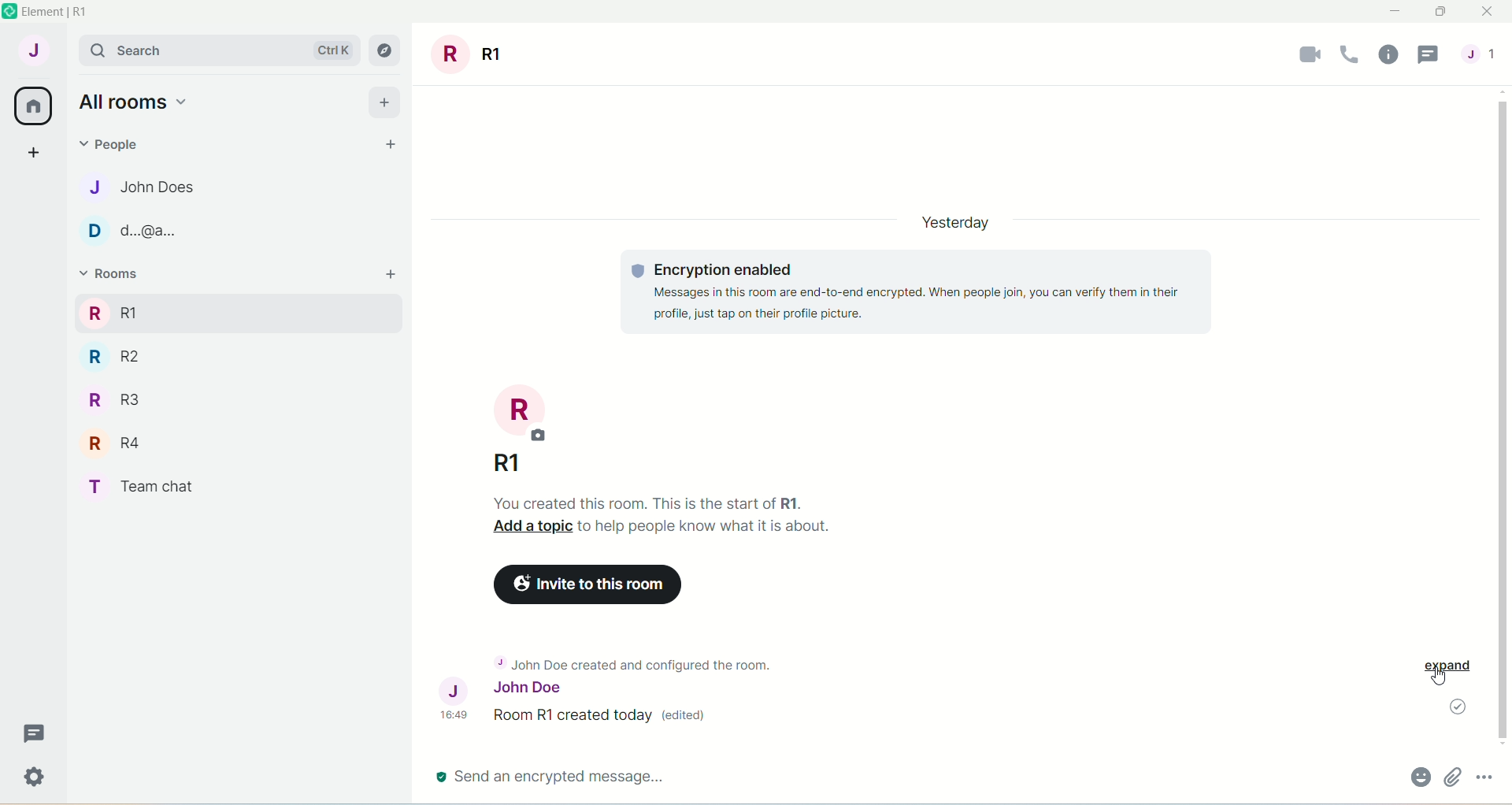  I want to click on & Invite to this room, so click(592, 588).